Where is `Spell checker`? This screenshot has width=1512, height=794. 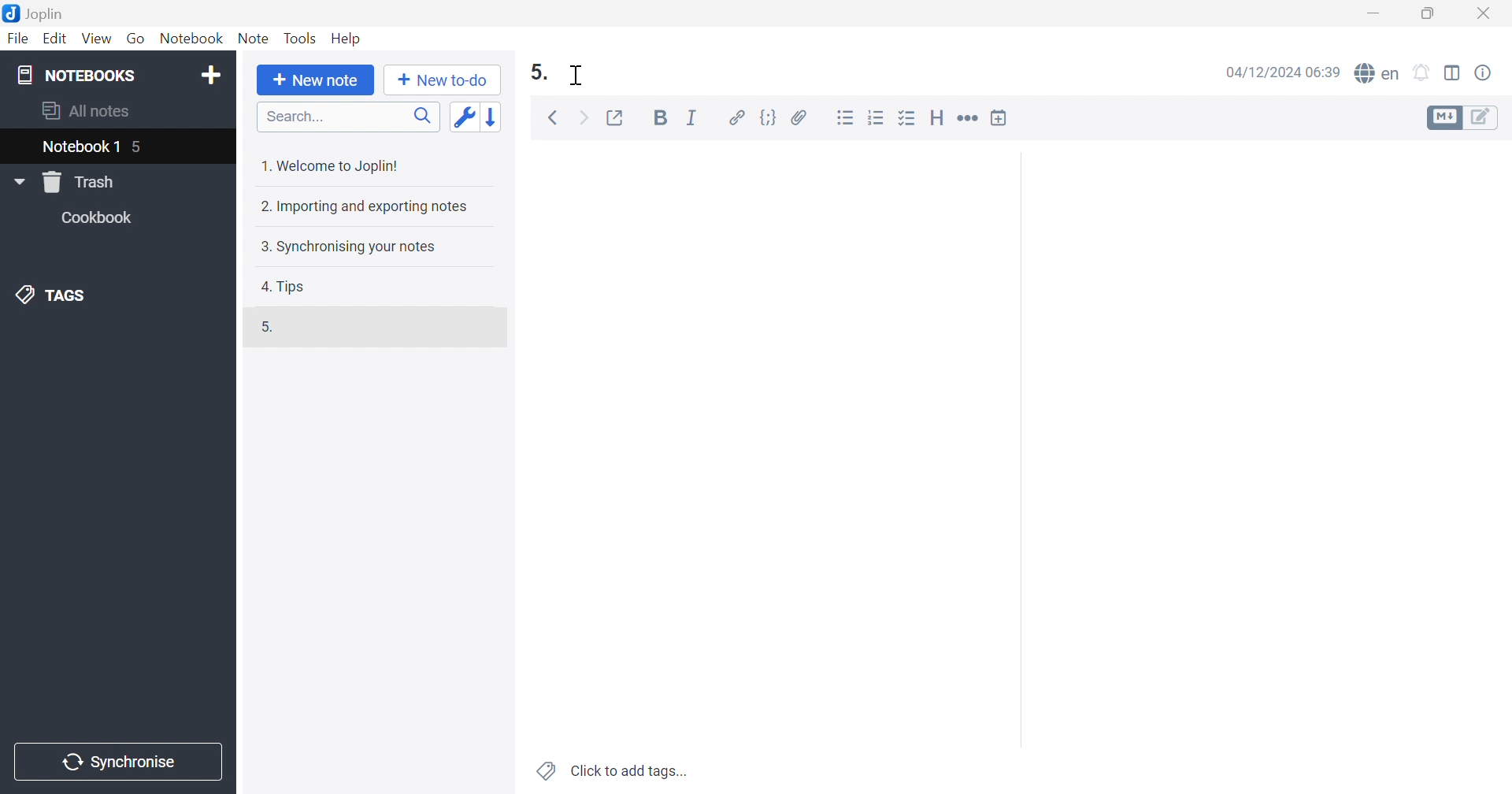
Spell checker is located at coordinates (1377, 72).